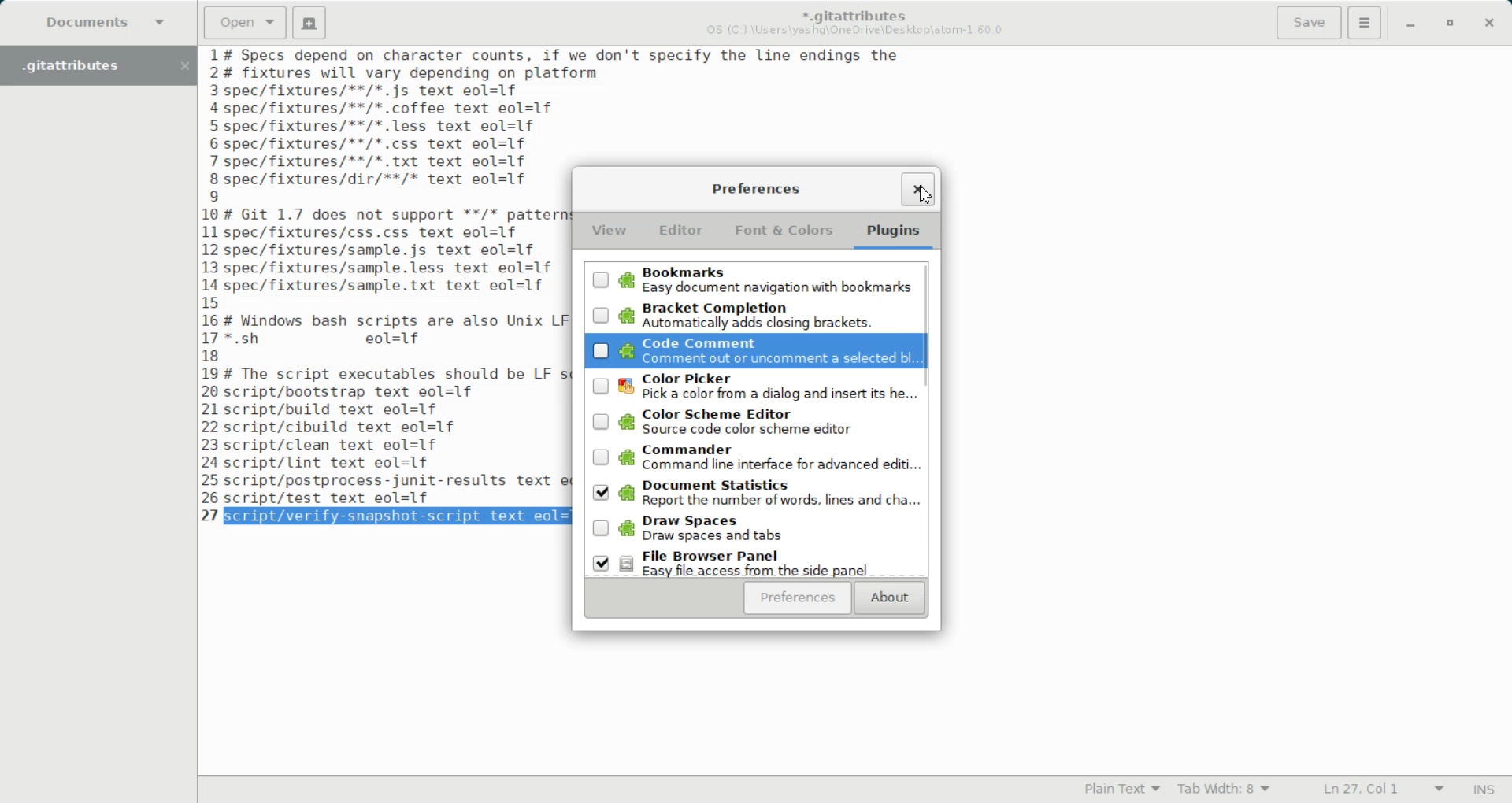 Image resolution: width=1512 pixels, height=803 pixels. Describe the element at coordinates (750, 423) in the screenshot. I see `Color Scheme Editor: Source code color scheme editor` at that location.